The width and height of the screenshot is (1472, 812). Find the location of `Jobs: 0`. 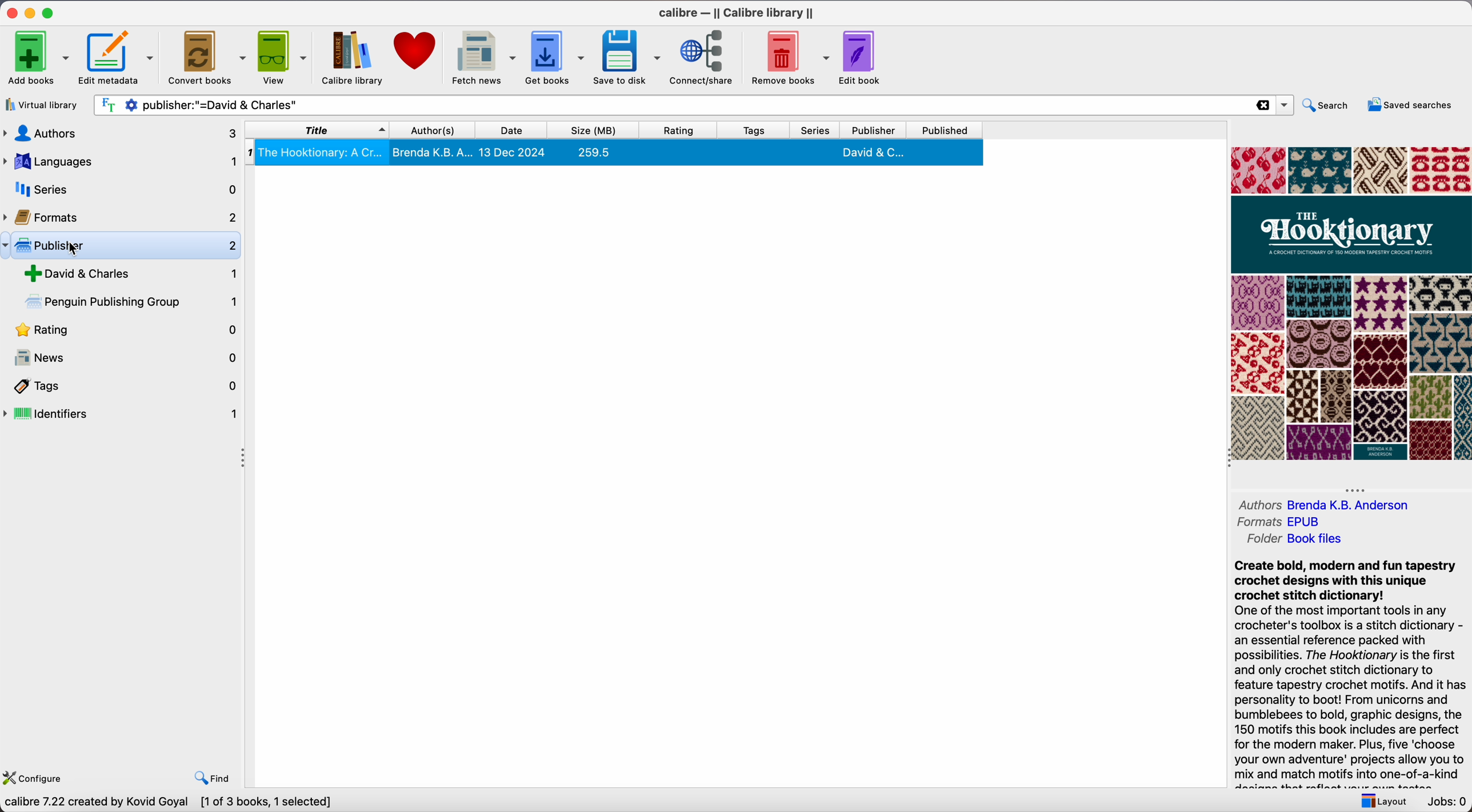

Jobs: 0 is located at coordinates (1445, 802).